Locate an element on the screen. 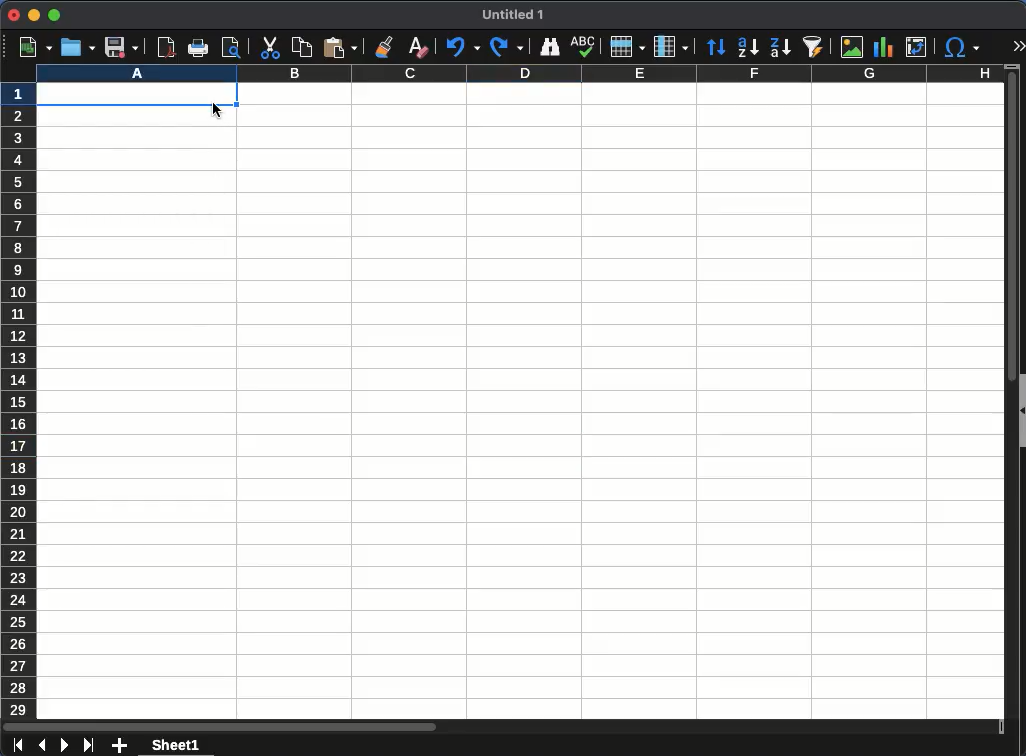 This screenshot has height=756, width=1026. clear formatting is located at coordinates (417, 45).